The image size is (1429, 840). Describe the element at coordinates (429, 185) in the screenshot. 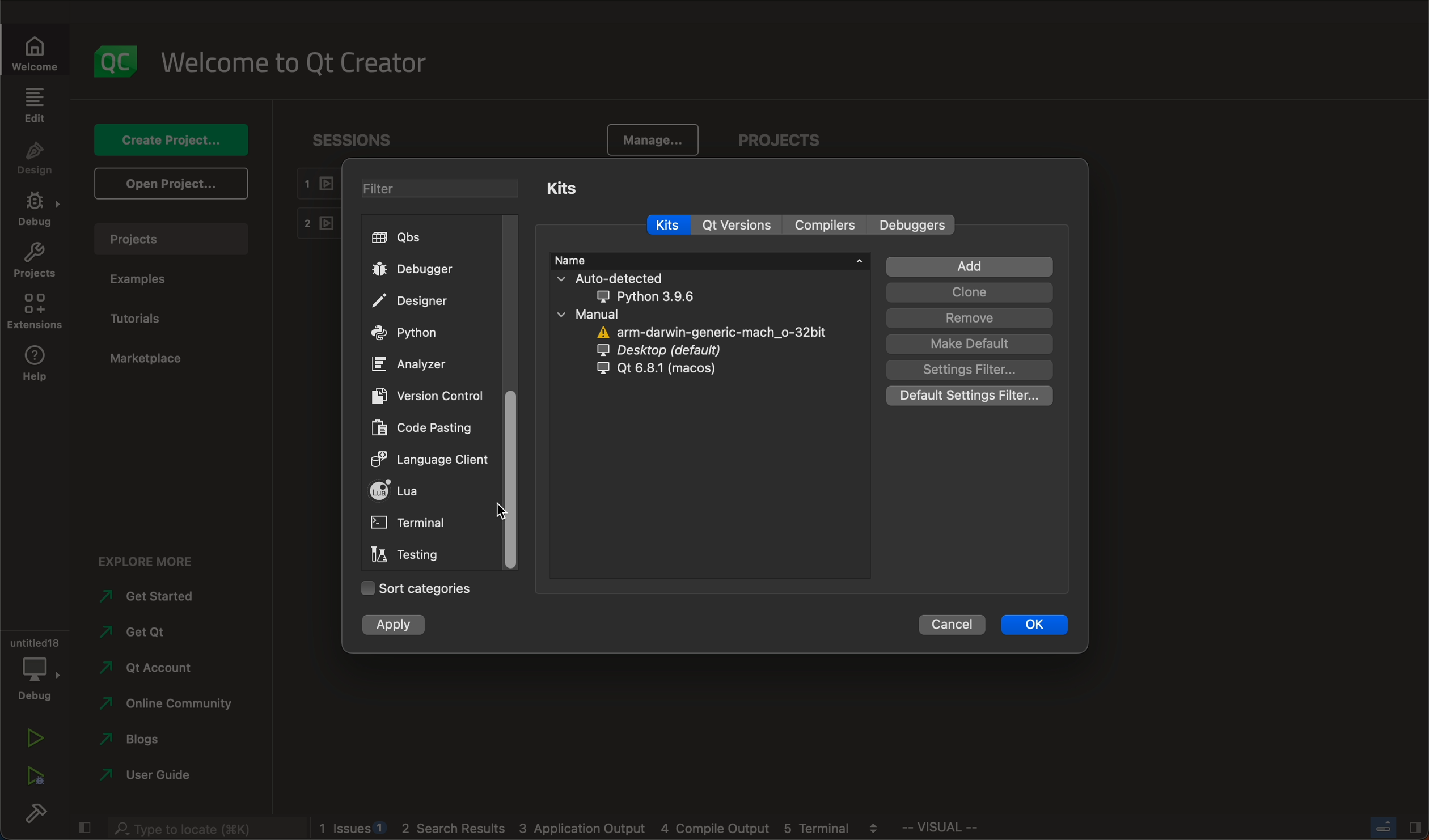

I see `filter` at that location.